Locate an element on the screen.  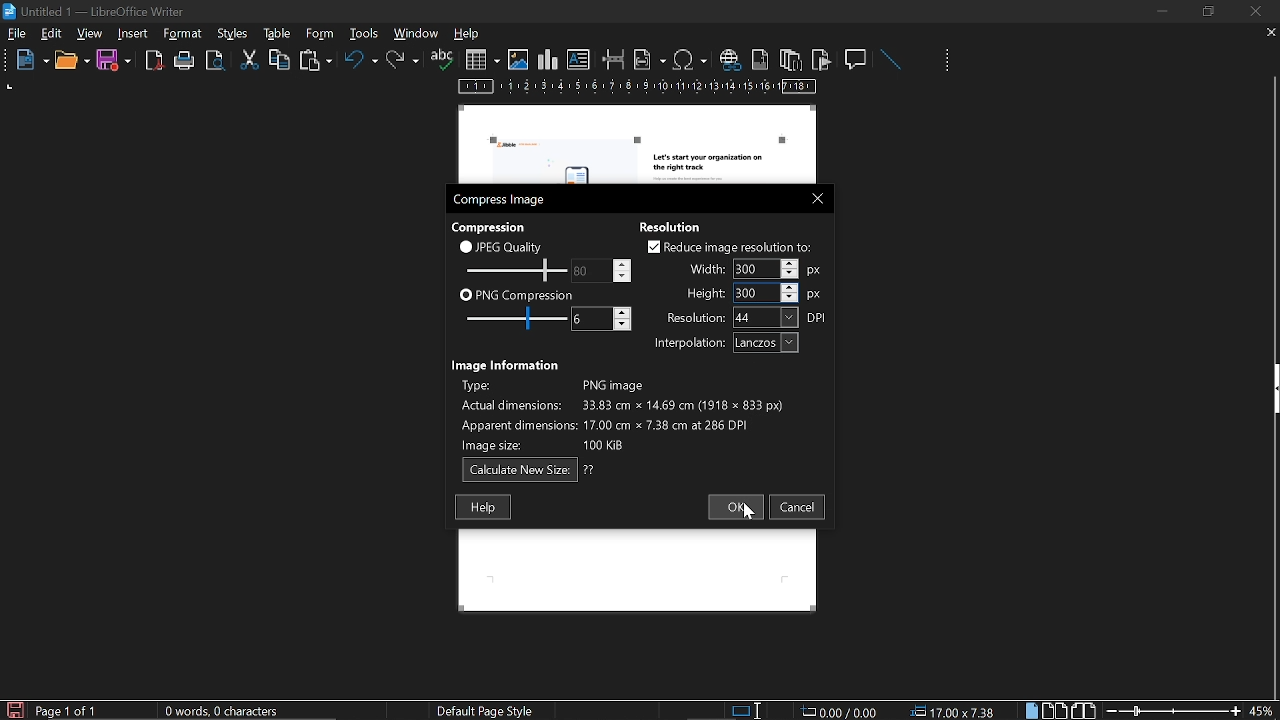
current page is located at coordinates (67, 711).